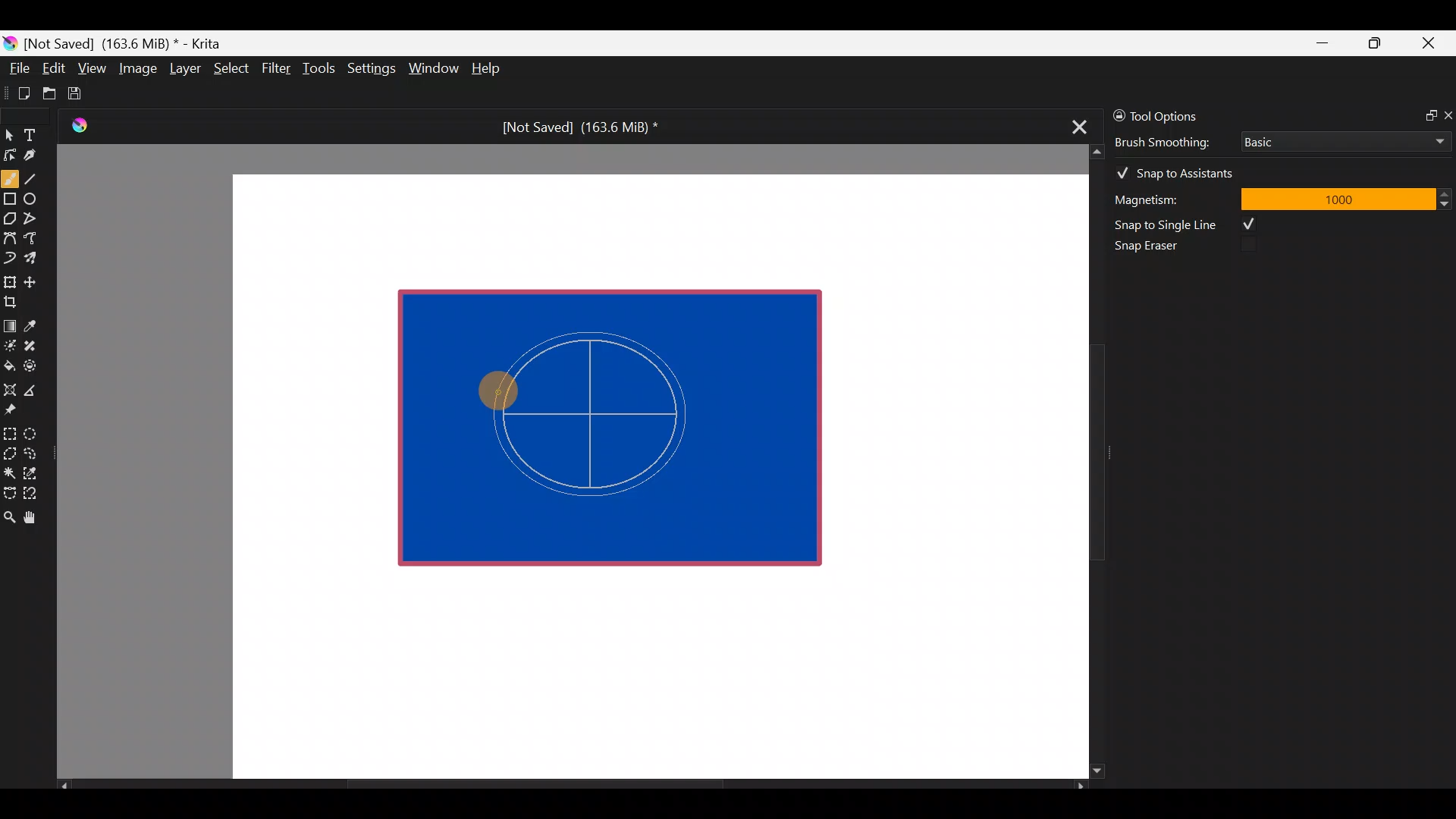  Describe the element at coordinates (9, 491) in the screenshot. I see `Bezier curve selection tool` at that location.